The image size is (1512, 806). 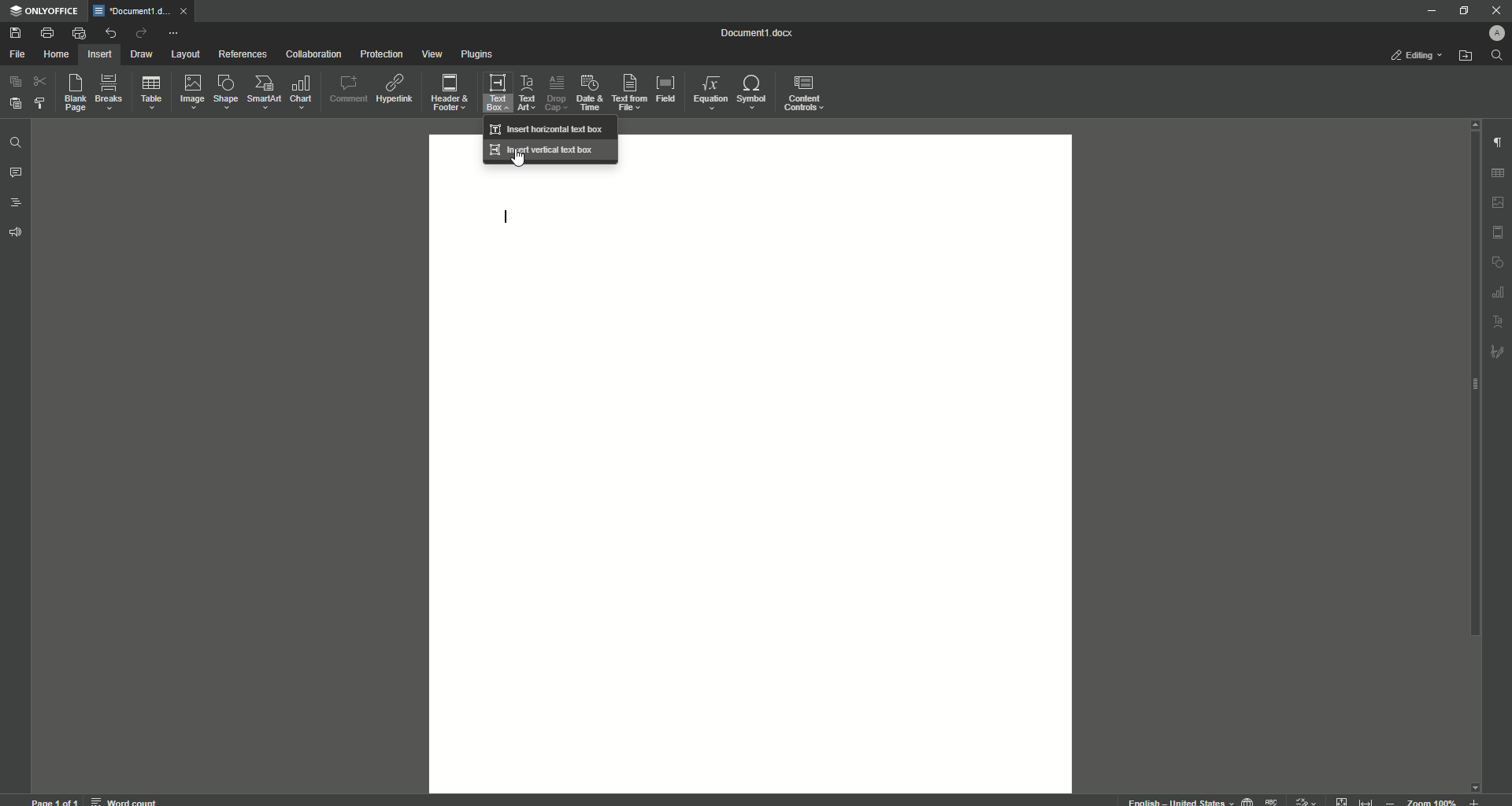 I want to click on Open From File, so click(x=1466, y=56).